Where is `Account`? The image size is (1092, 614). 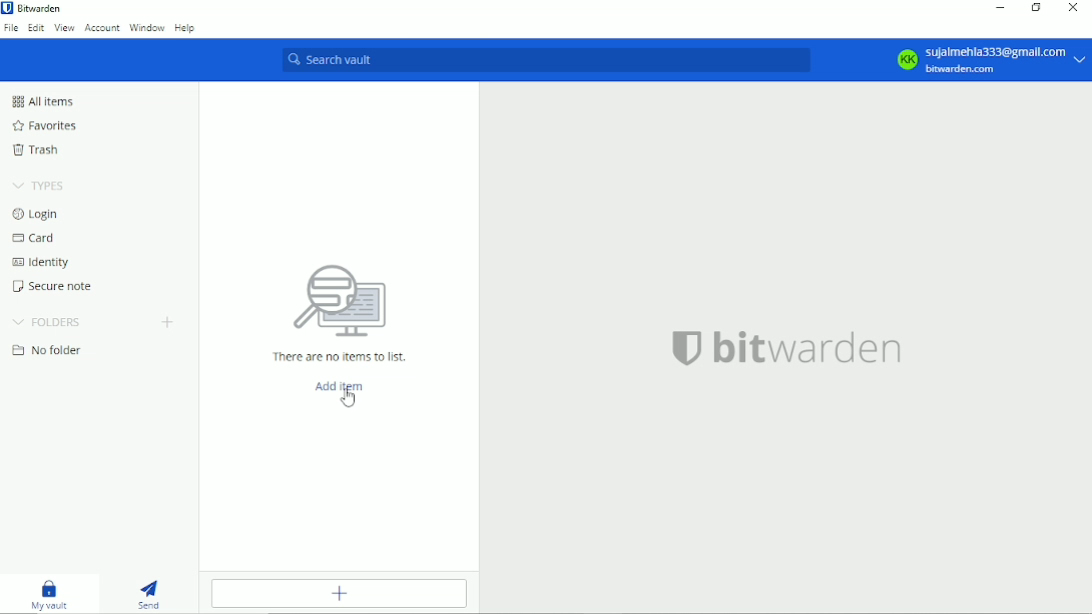 Account is located at coordinates (101, 29).